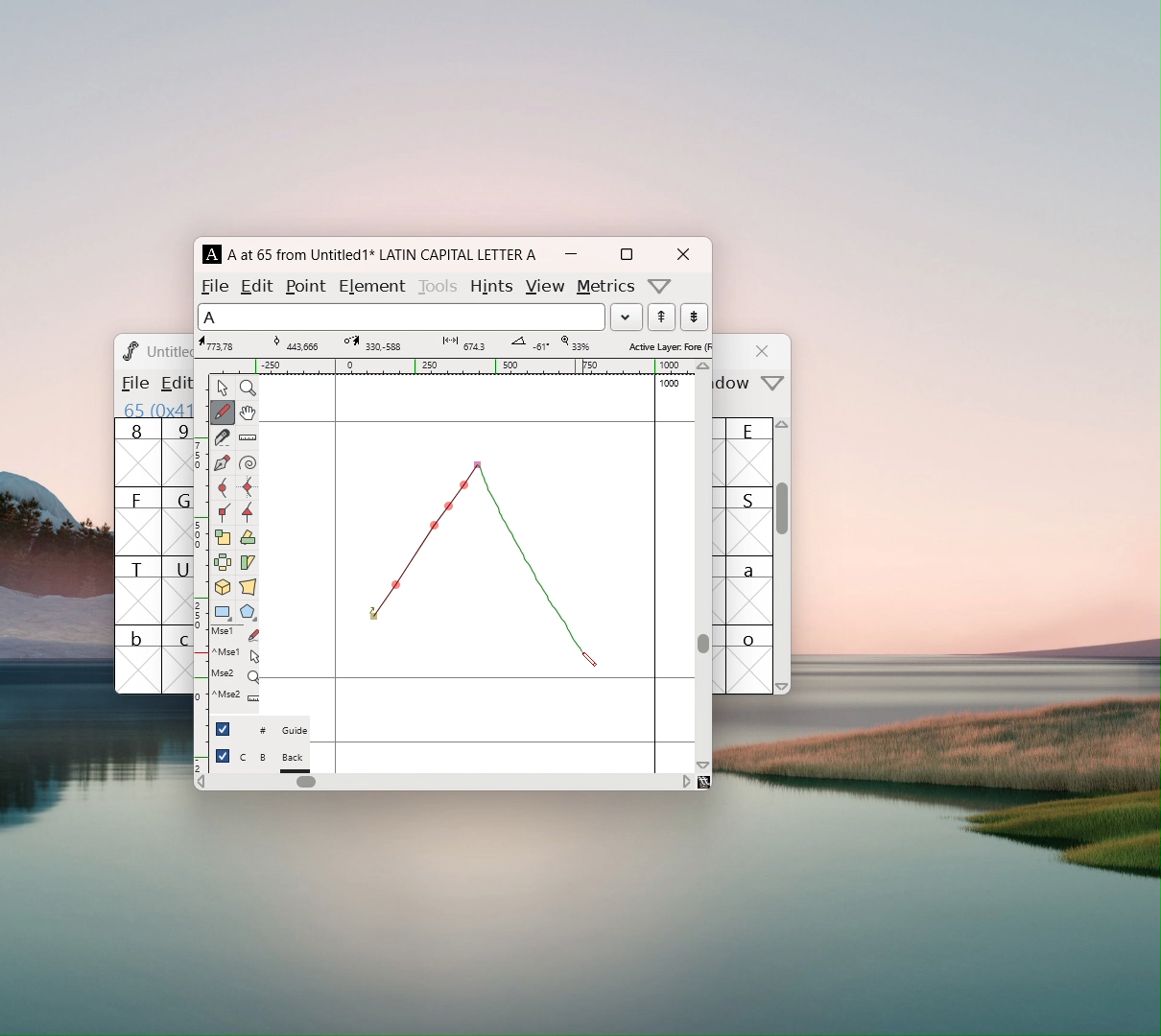 The width and height of the screenshot is (1161, 1036). What do you see at coordinates (133, 383) in the screenshot?
I see `file` at bounding box center [133, 383].